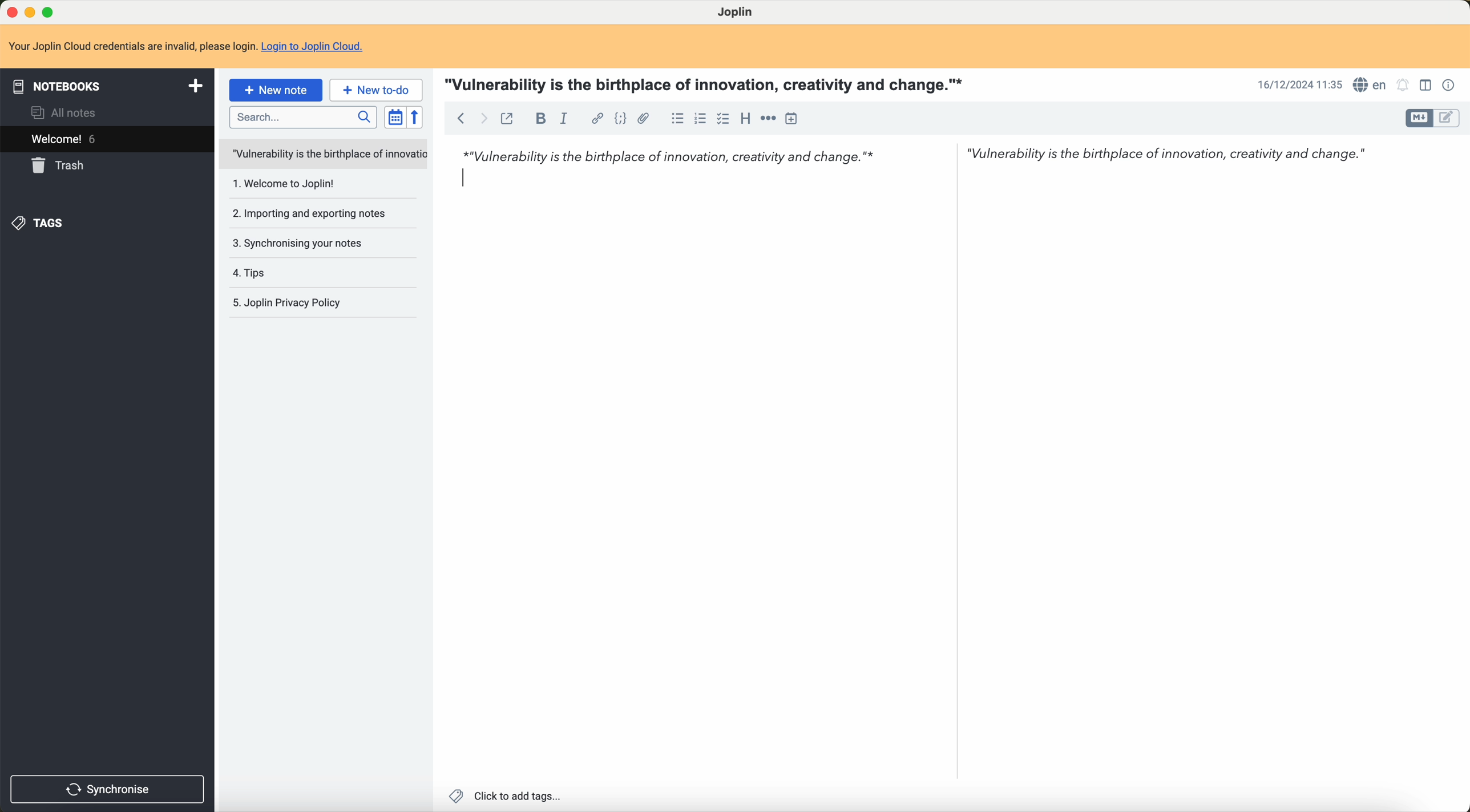 This screenshot has height=812, width=1470. What do you see at coordinates (676, 118) in the screenshot?
I see `bulleted list` at bounding box center [676, 118].